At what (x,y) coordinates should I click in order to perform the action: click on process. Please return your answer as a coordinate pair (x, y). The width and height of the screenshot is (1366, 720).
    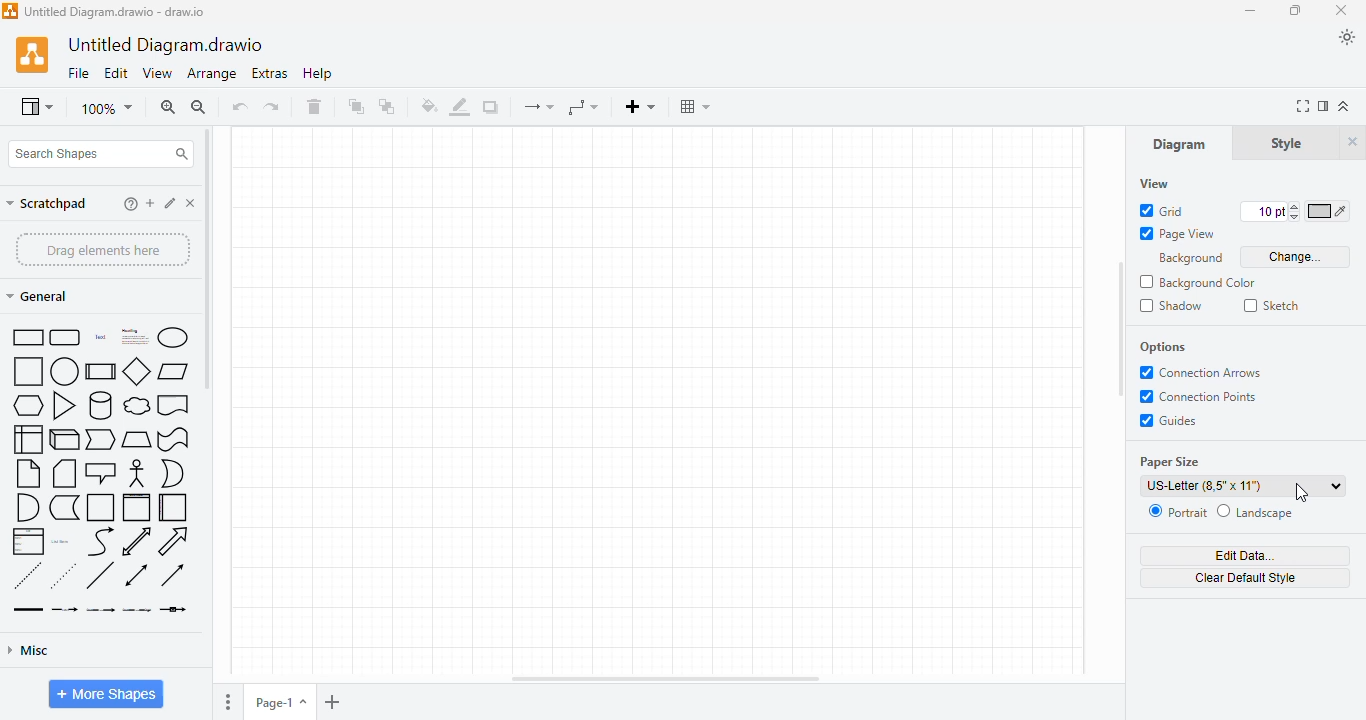
    Looking at the image, I should click on (101, 371).